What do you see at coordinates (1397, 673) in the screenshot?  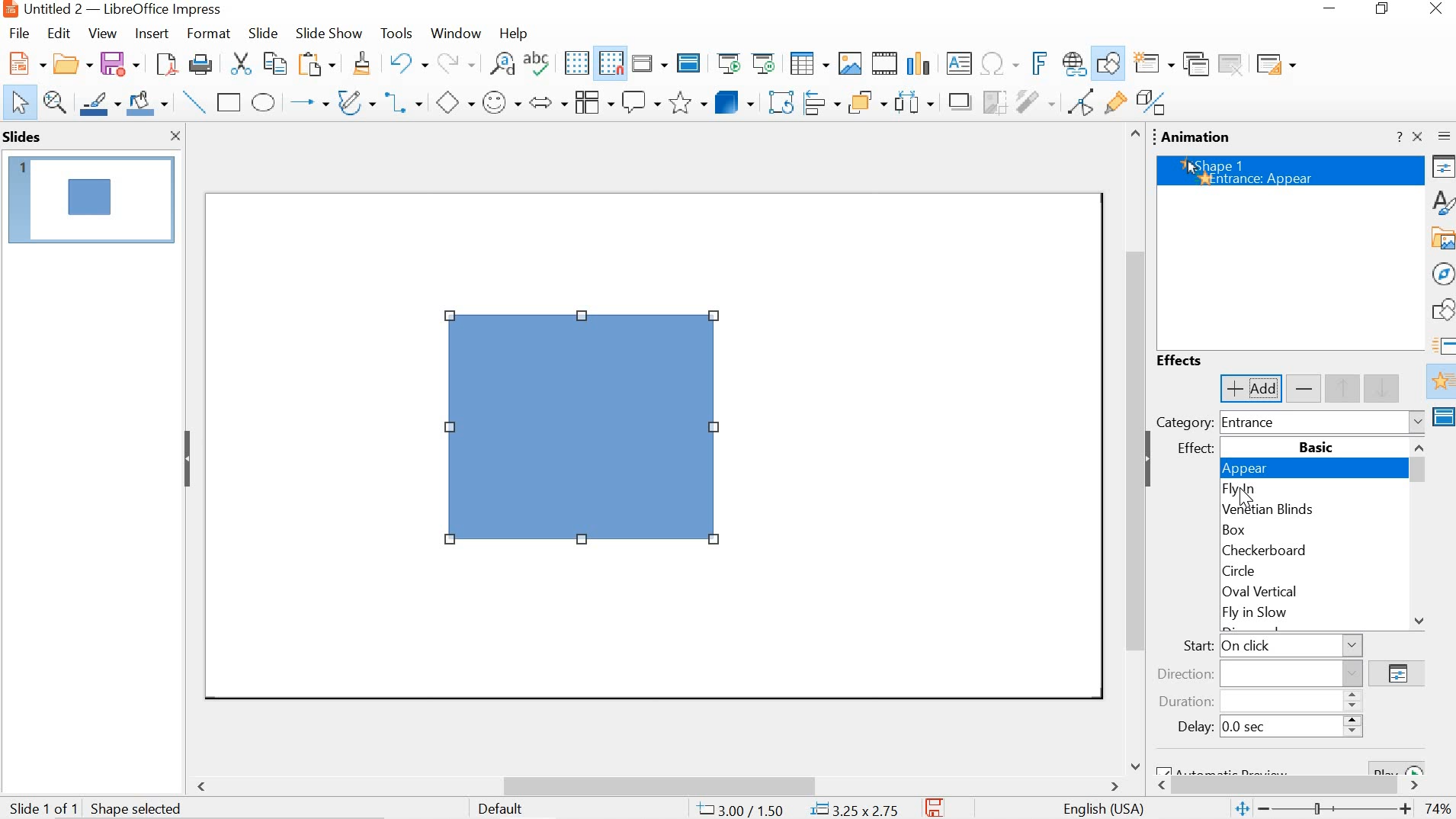 I see `direction` at bounding box center [1397, 673].